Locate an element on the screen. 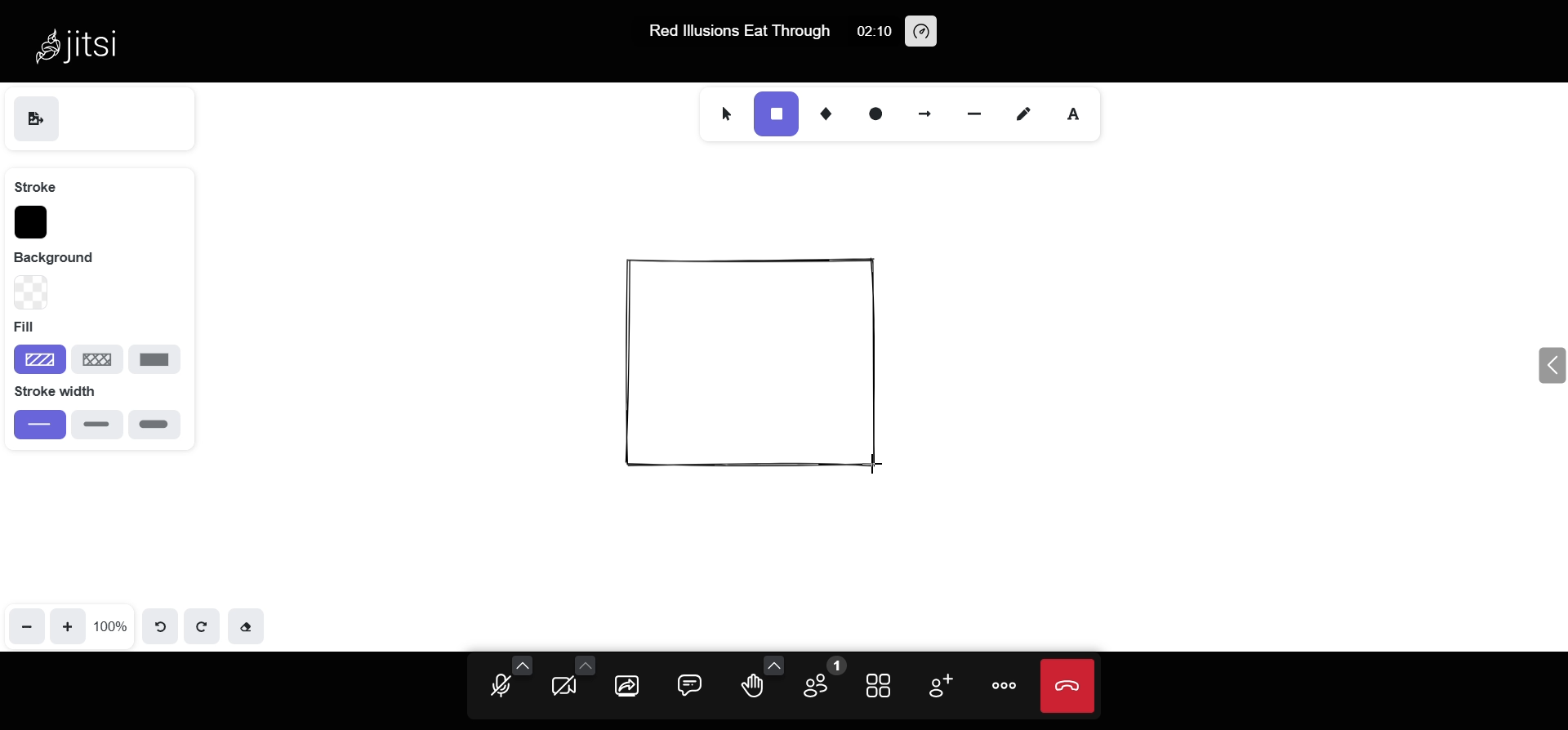 This screenshot has width=1568, height=730. zoom in is located at coordinates (68, 625).